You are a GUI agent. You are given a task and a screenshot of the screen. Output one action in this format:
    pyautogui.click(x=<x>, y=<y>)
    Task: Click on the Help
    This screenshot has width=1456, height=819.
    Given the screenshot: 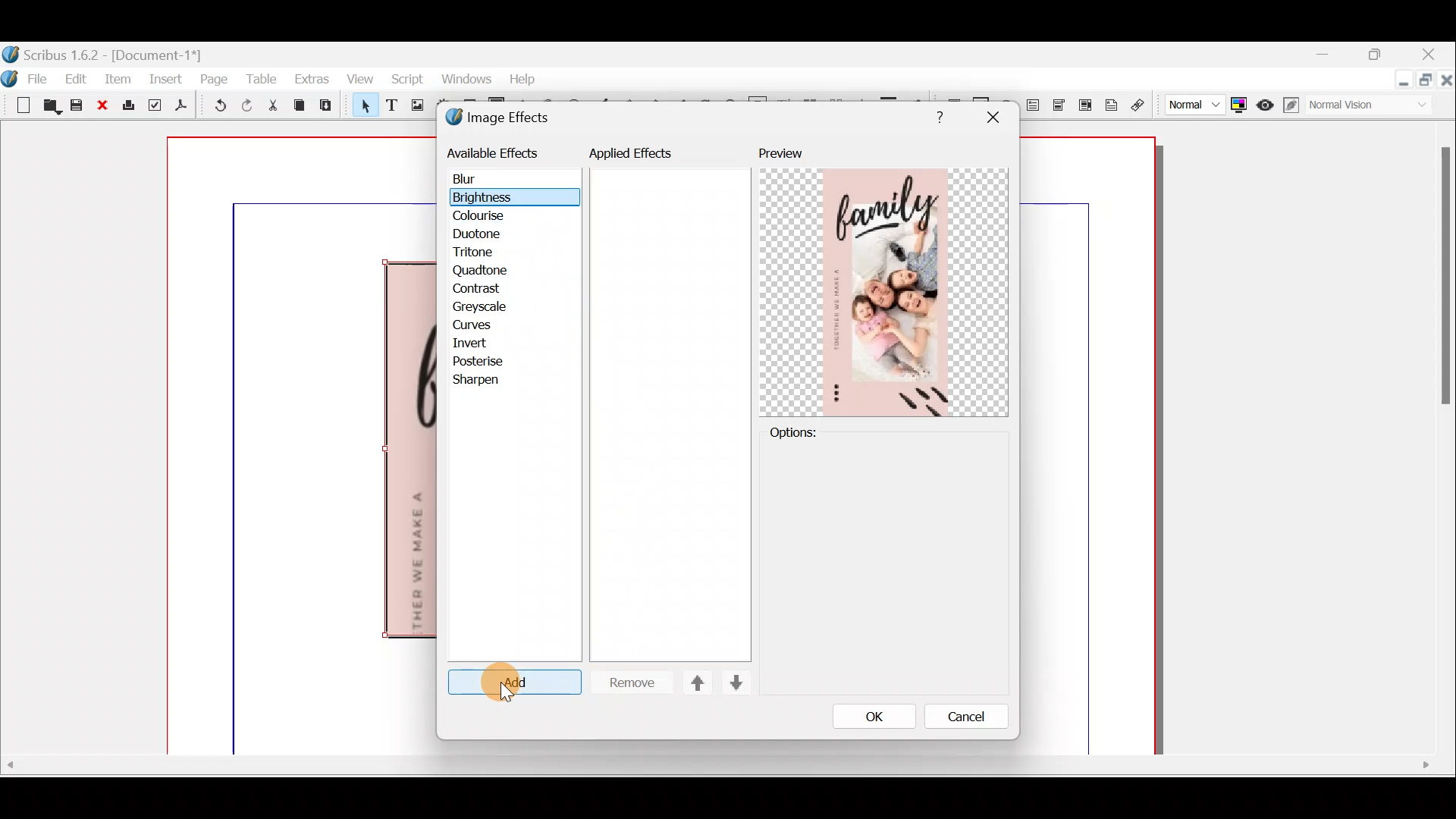 What is the action you would take?
    pyautogui.click(x=522, y=77)
    